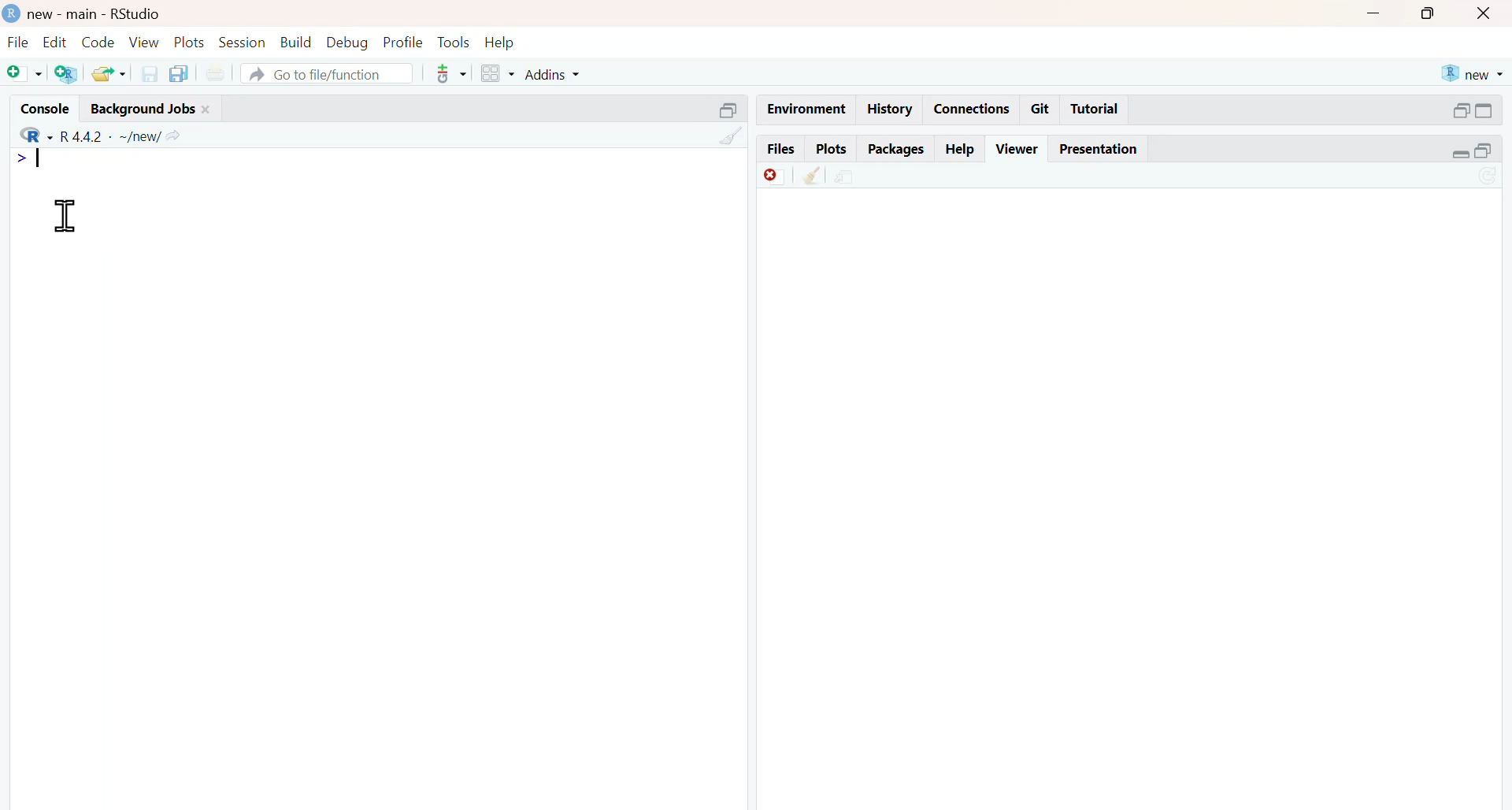 The image size is (1512, 810). Describe the element at coordinates (1460, 110) in the screenshot. I see `open in separate window` at that location.